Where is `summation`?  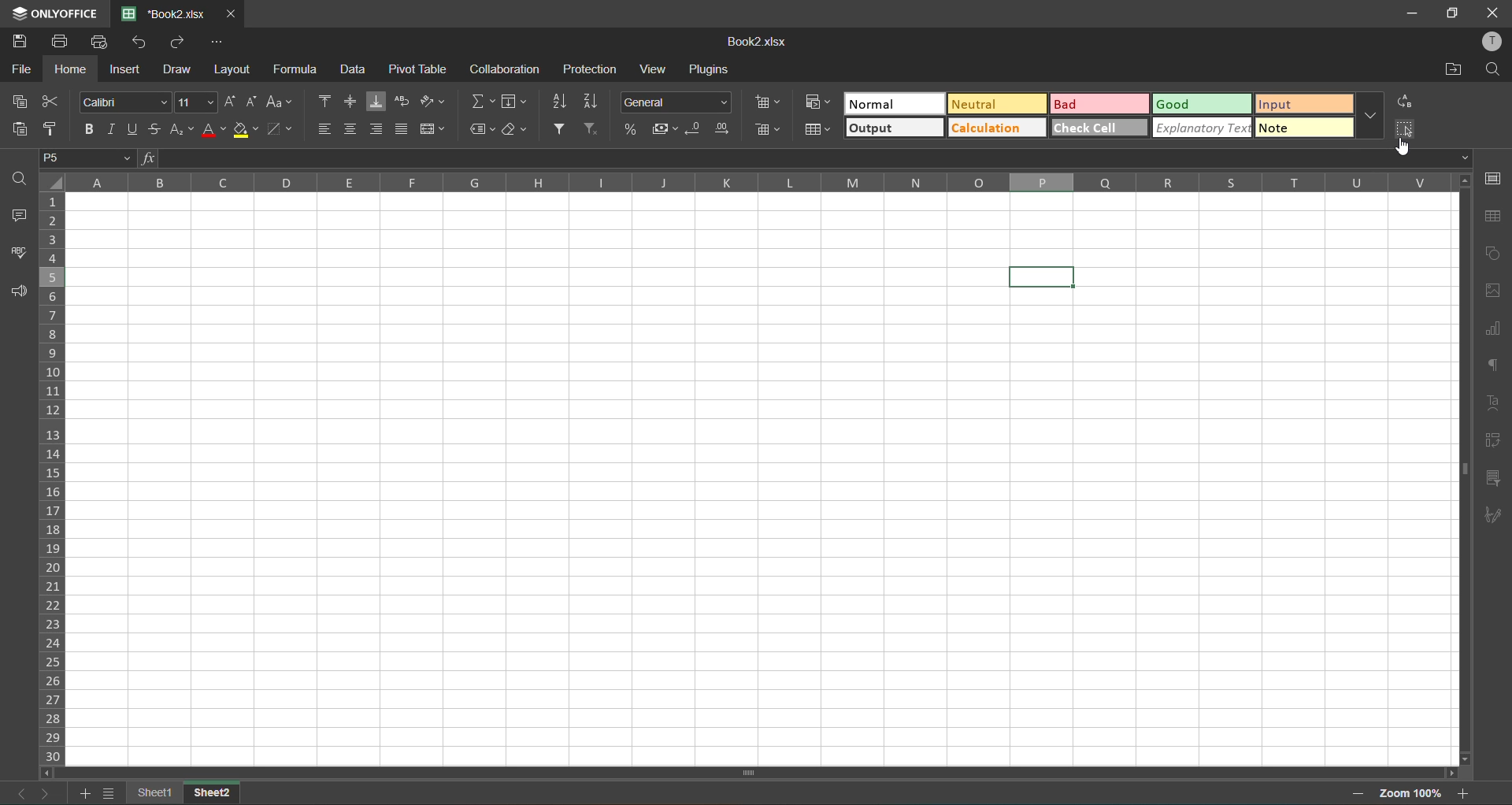 summation is located at coordinates (480, 101).